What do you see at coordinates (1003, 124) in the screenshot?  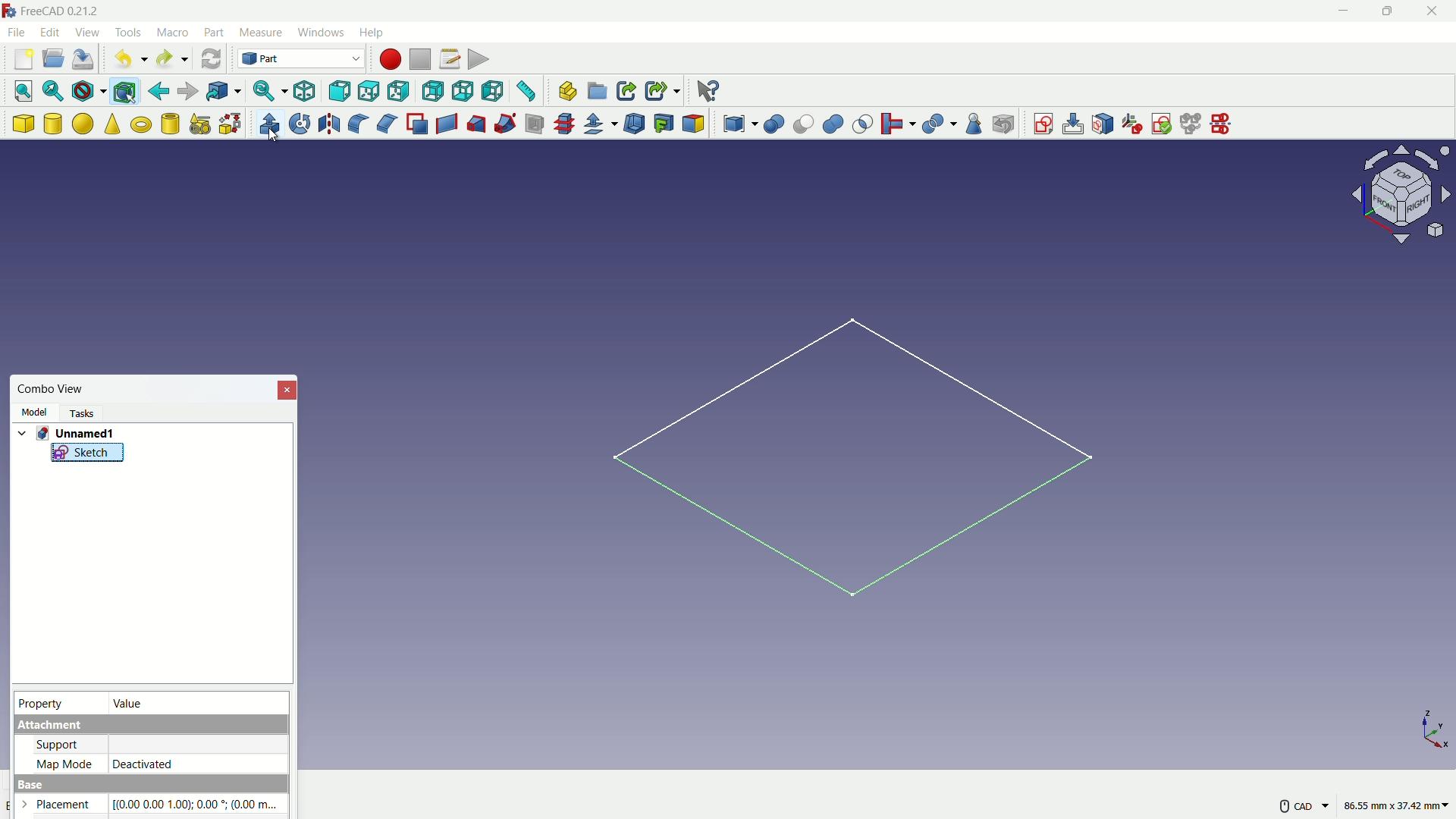 I see `defeaturing` at bounding box center [1003, 124].